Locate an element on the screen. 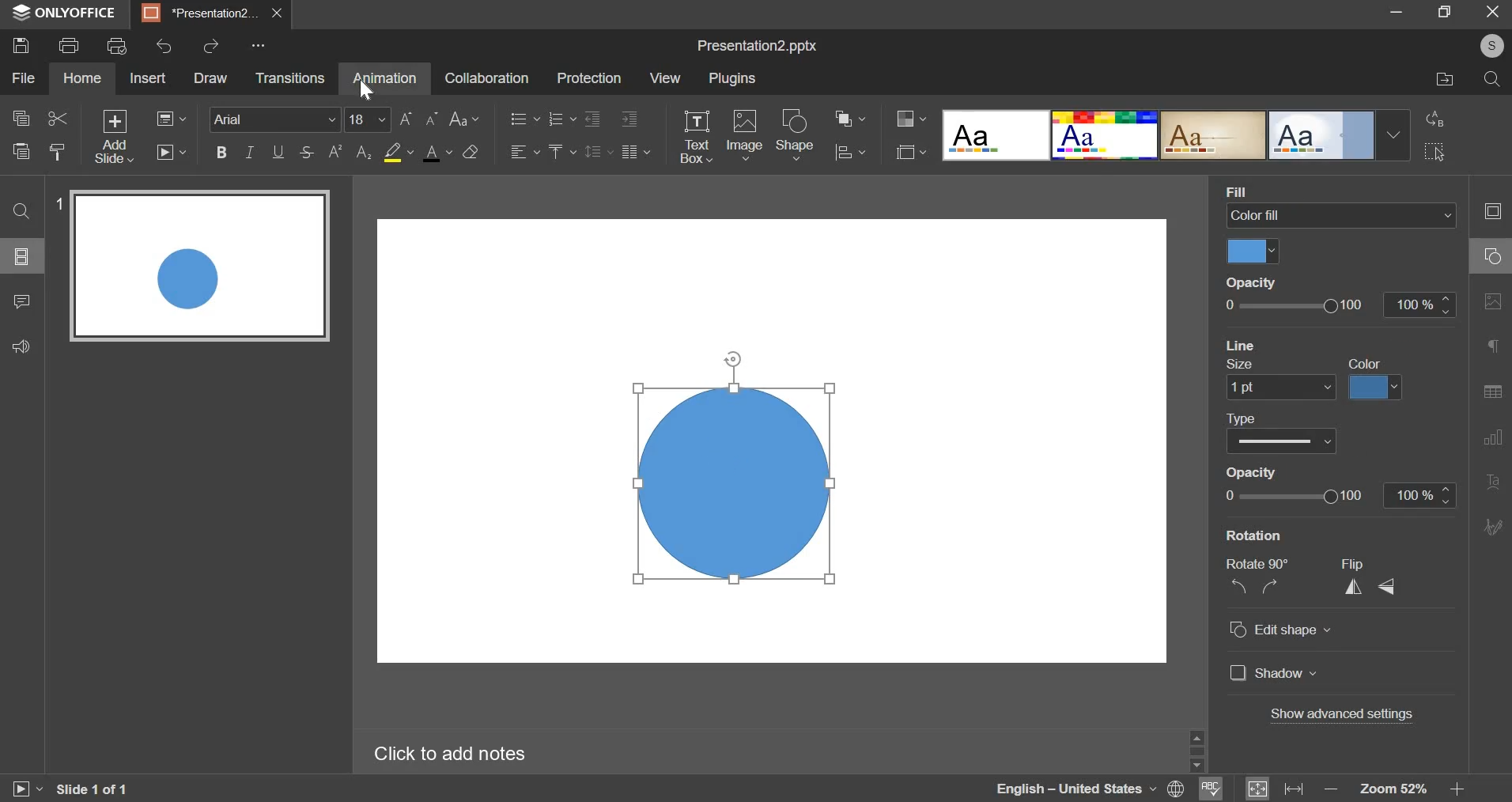 The height and width of the screenshot is (802, 1512). convert is located at coordinates (1437, 119).